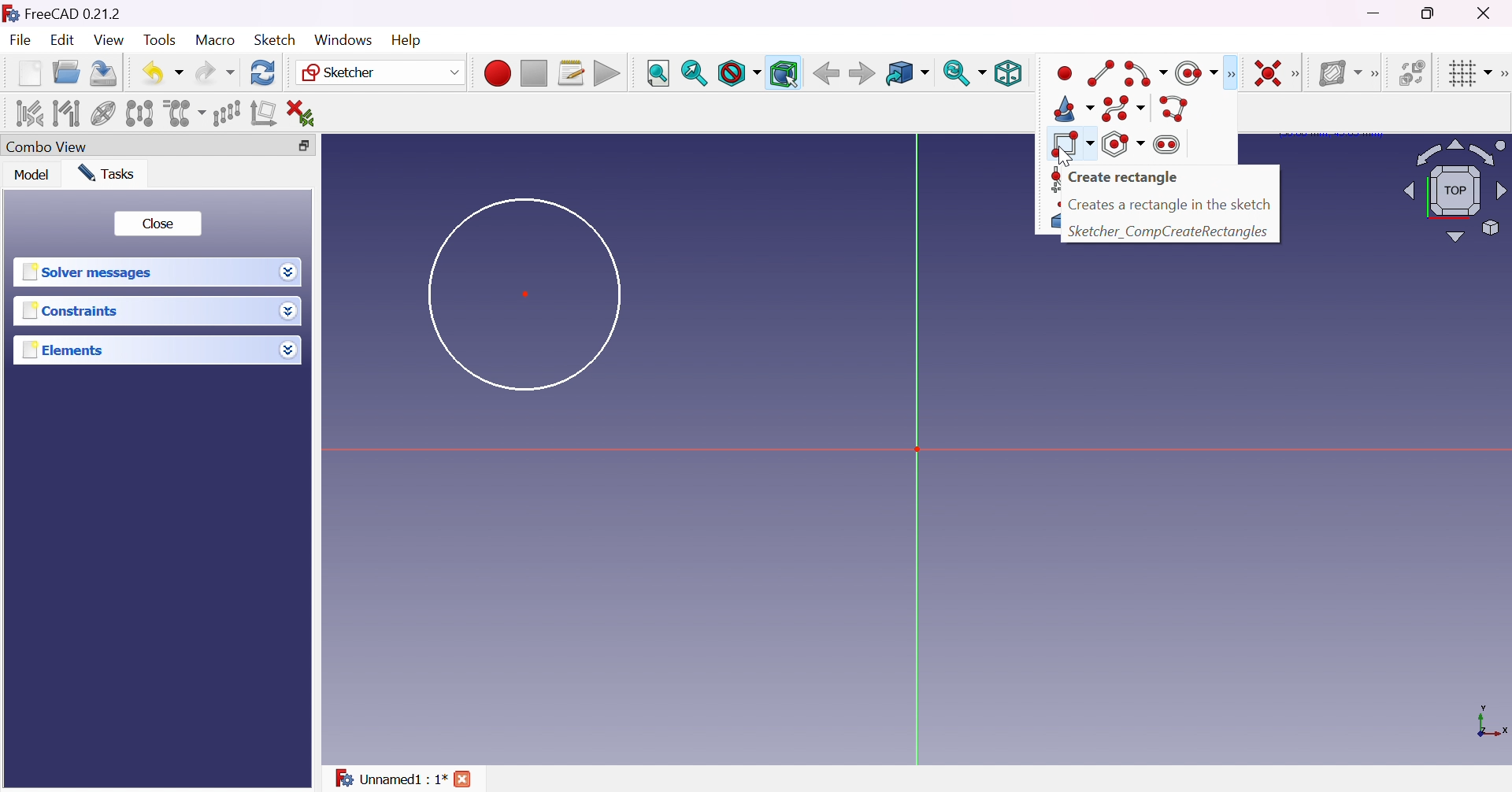 This screenshot has width=1512, height=792. What do you see at coordinates (226, 112) in the screenshot?
I see `Rectangular array` at bounding box center [226, 112].